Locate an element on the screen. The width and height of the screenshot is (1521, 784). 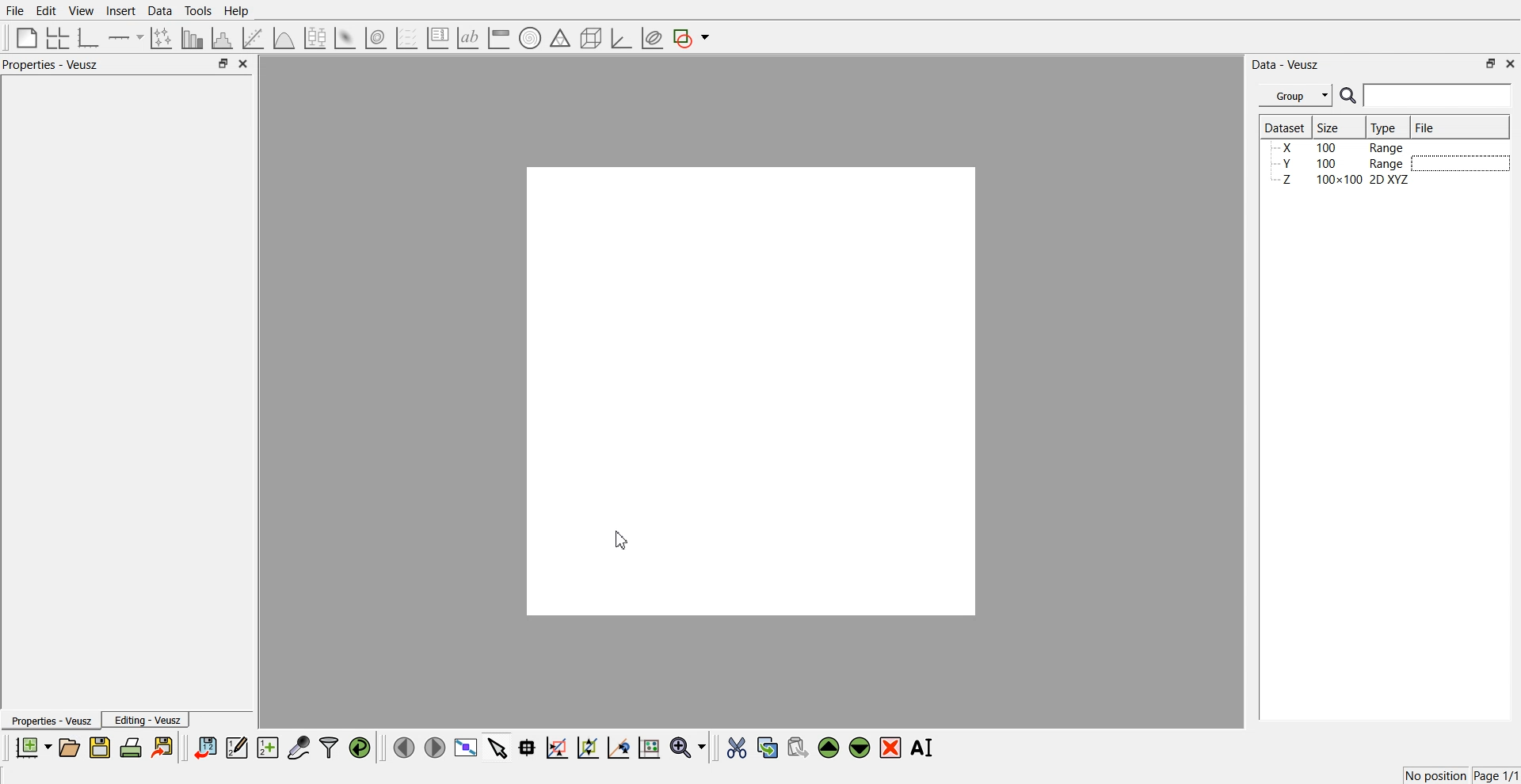
Move to the previous page is located at coordinates (404, 747).